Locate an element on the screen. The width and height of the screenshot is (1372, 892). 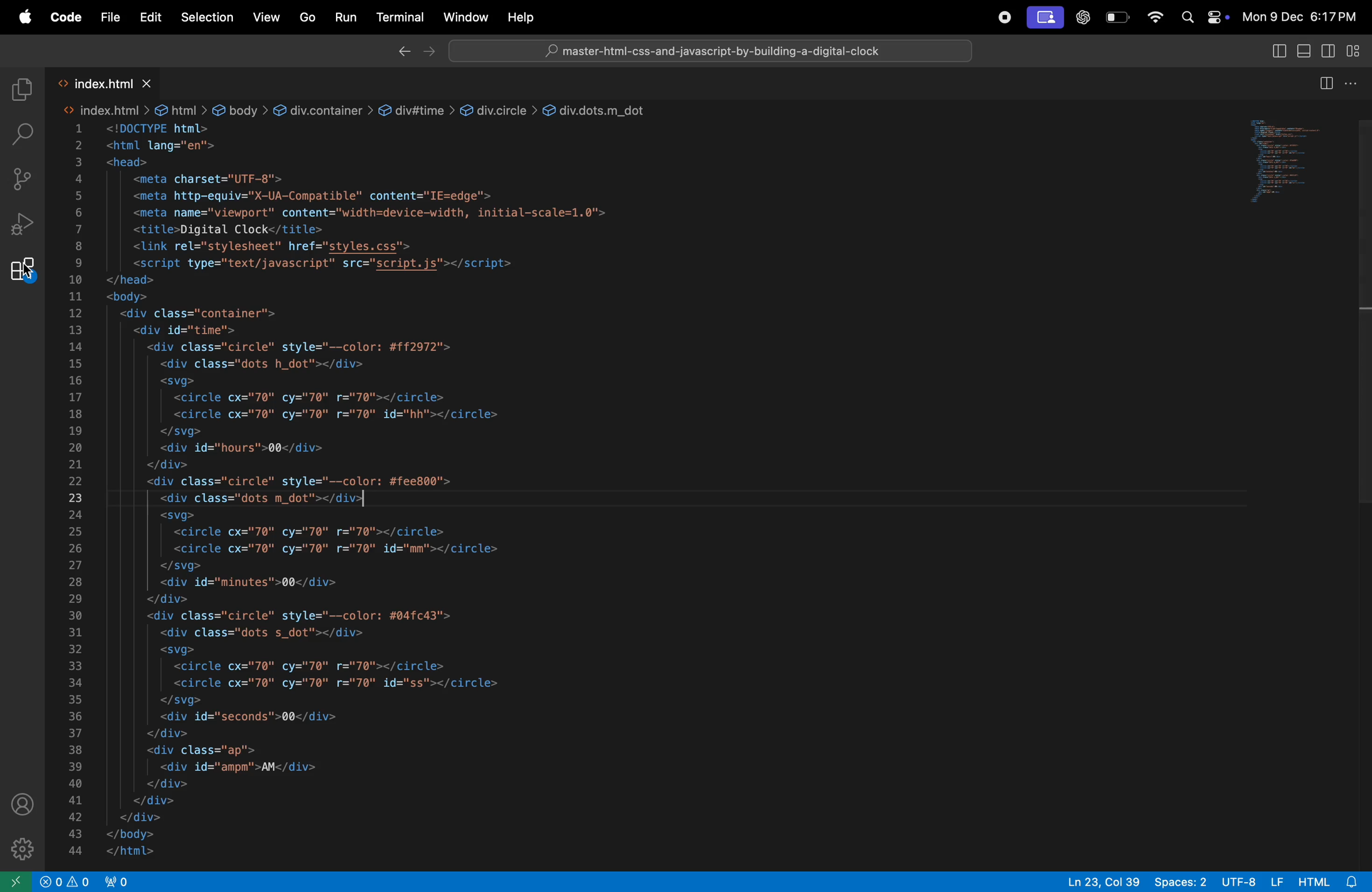
Help is located at coordinates (519, 16).